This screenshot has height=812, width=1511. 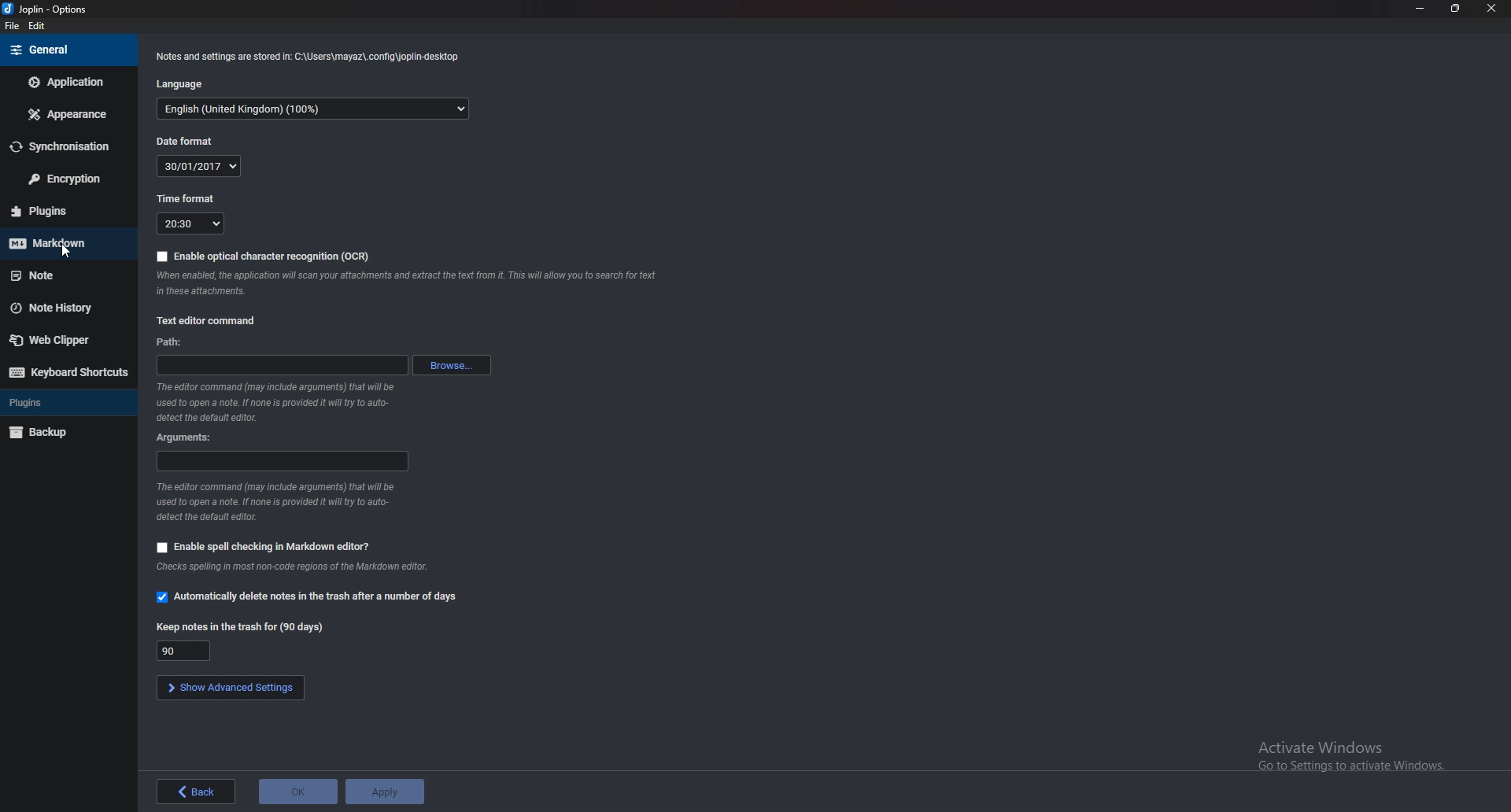 I want to click on Plugins, so click(x=63, y=212).